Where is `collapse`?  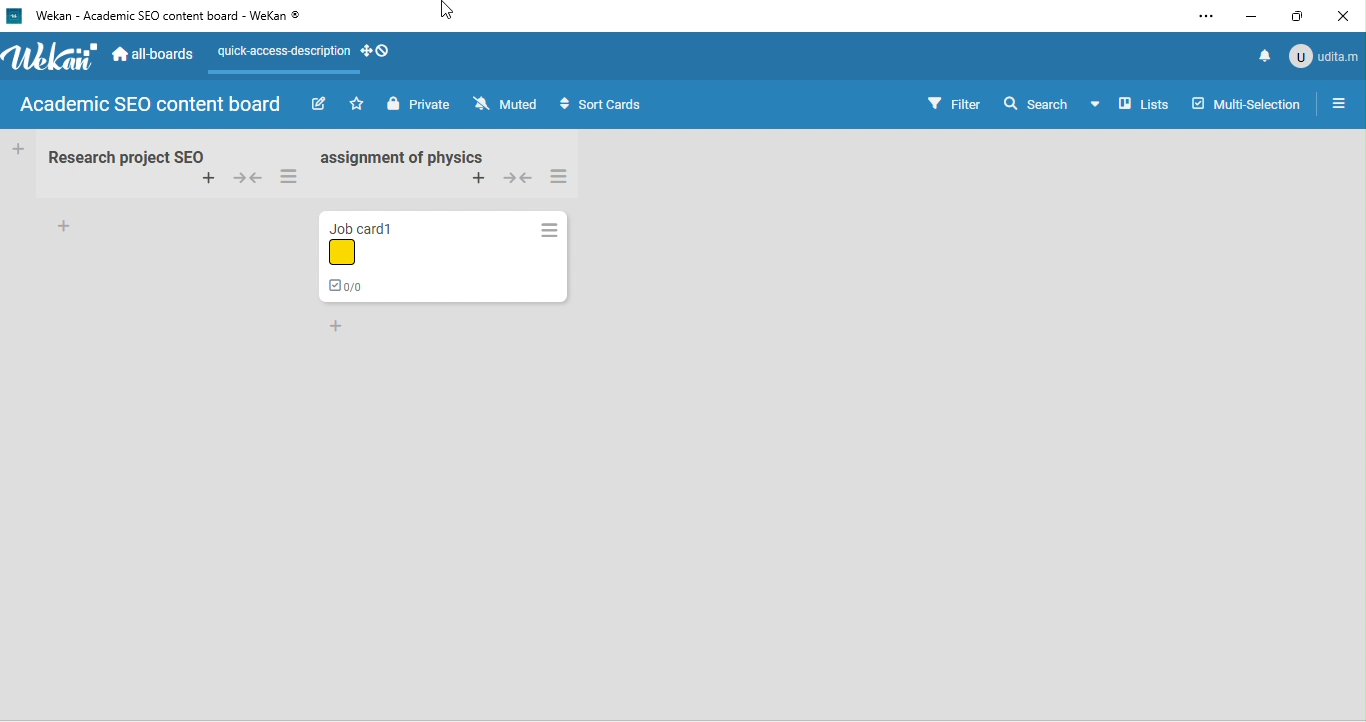 collapse is located at coordinates (245, 178).